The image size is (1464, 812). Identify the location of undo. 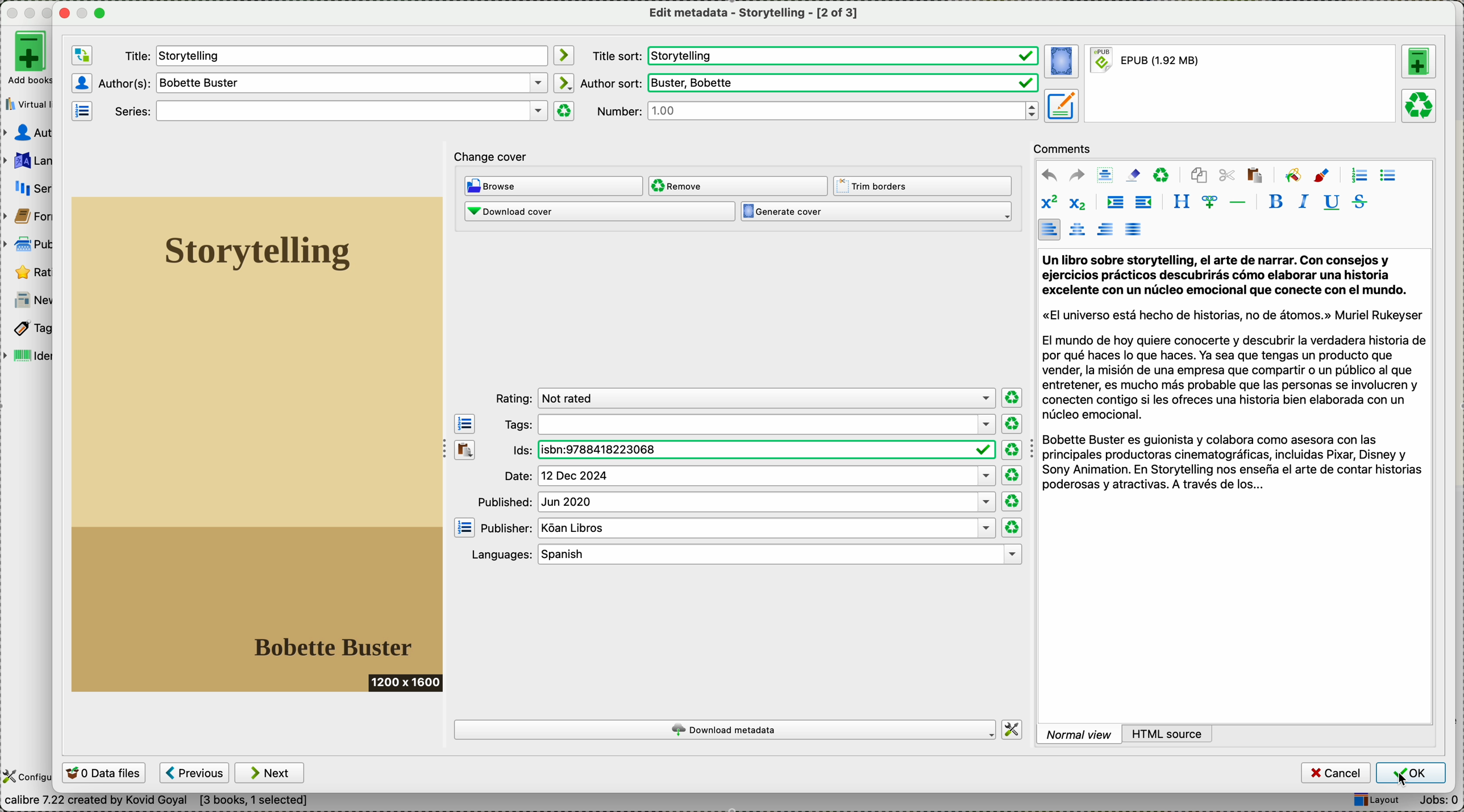
(1047, 174).